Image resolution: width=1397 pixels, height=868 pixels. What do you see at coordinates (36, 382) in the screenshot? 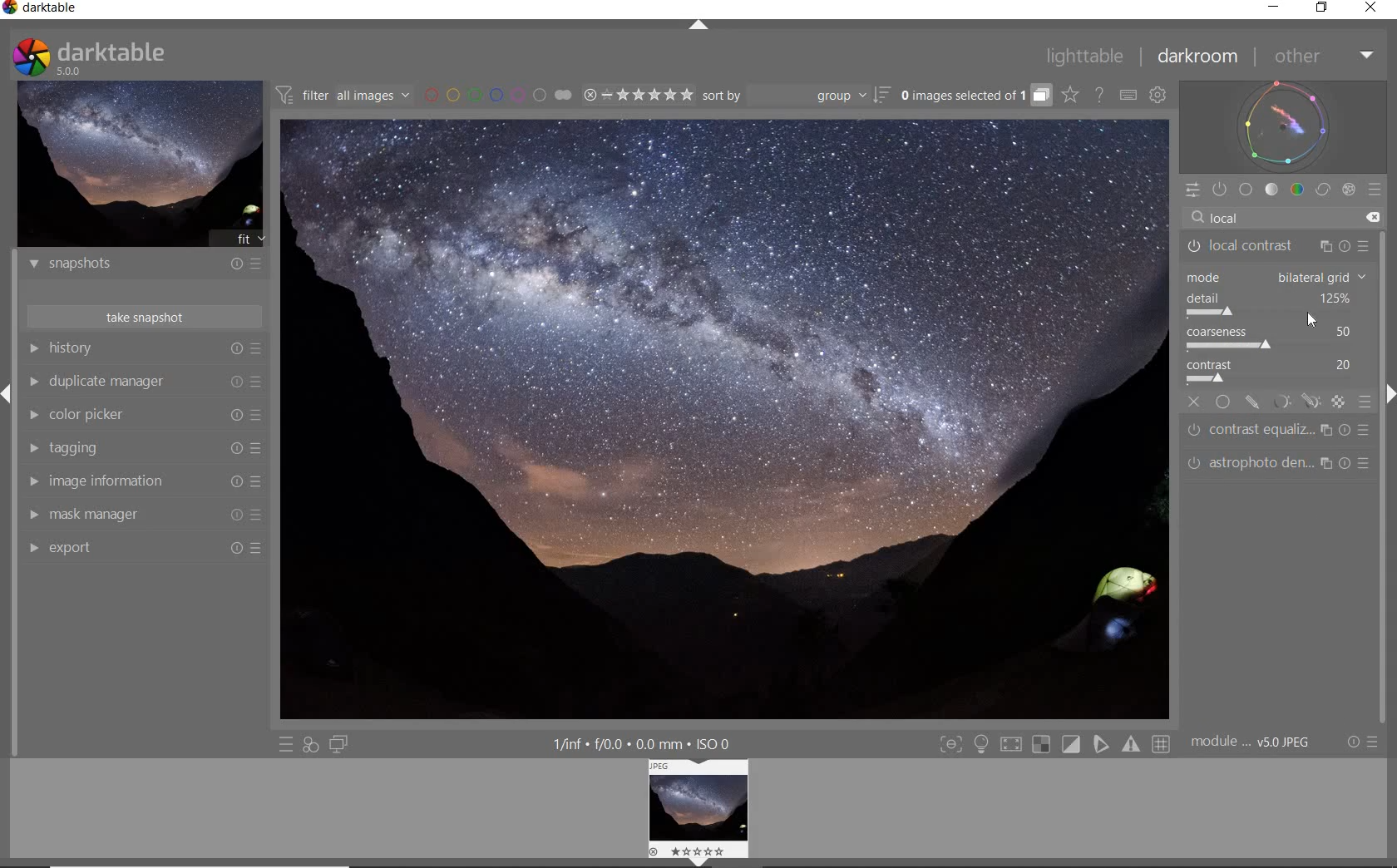
I see `DUPLICATE MANAGER` at bounding box center [36, 382].